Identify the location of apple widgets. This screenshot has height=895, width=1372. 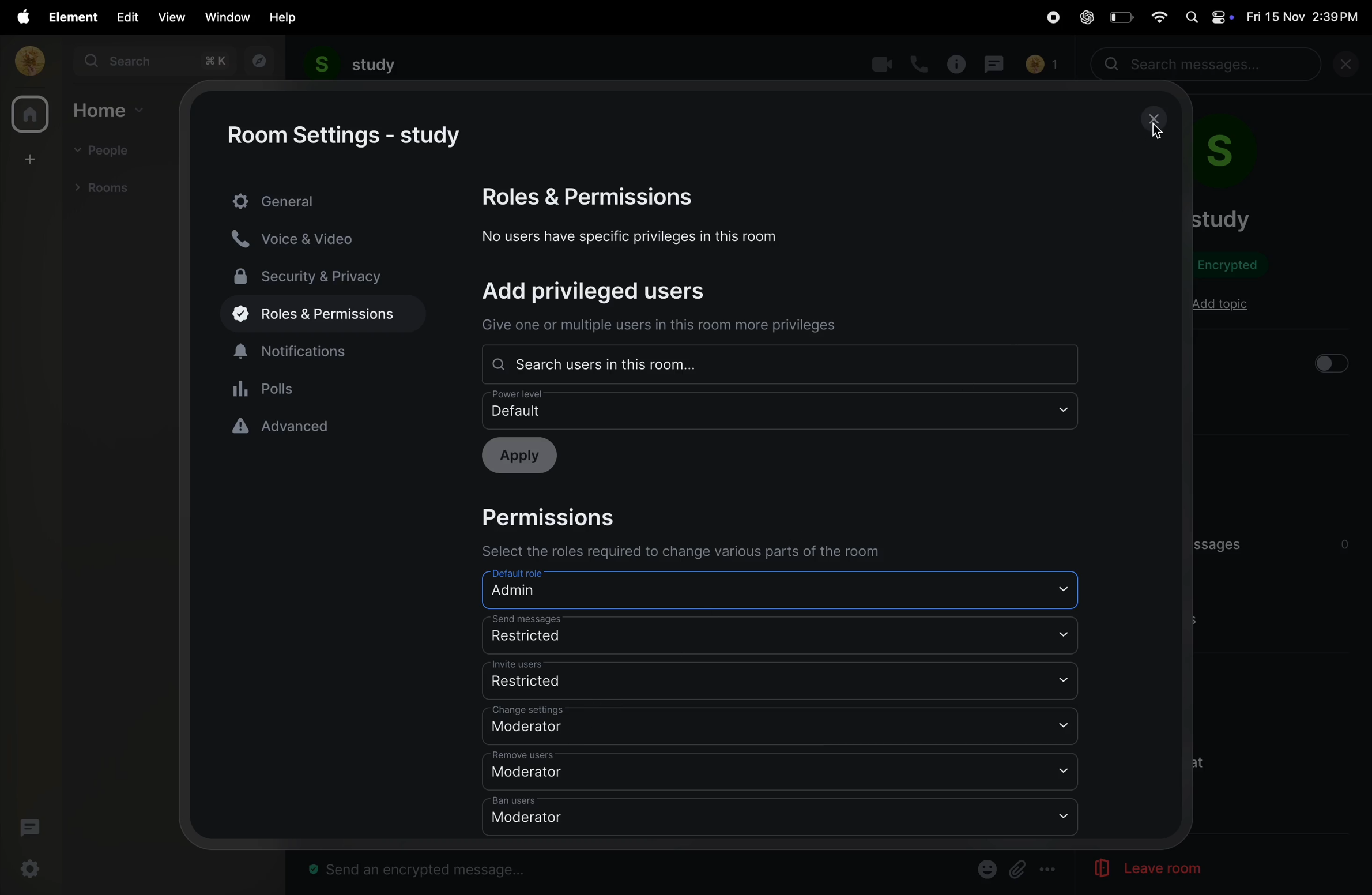
(1208, 16).